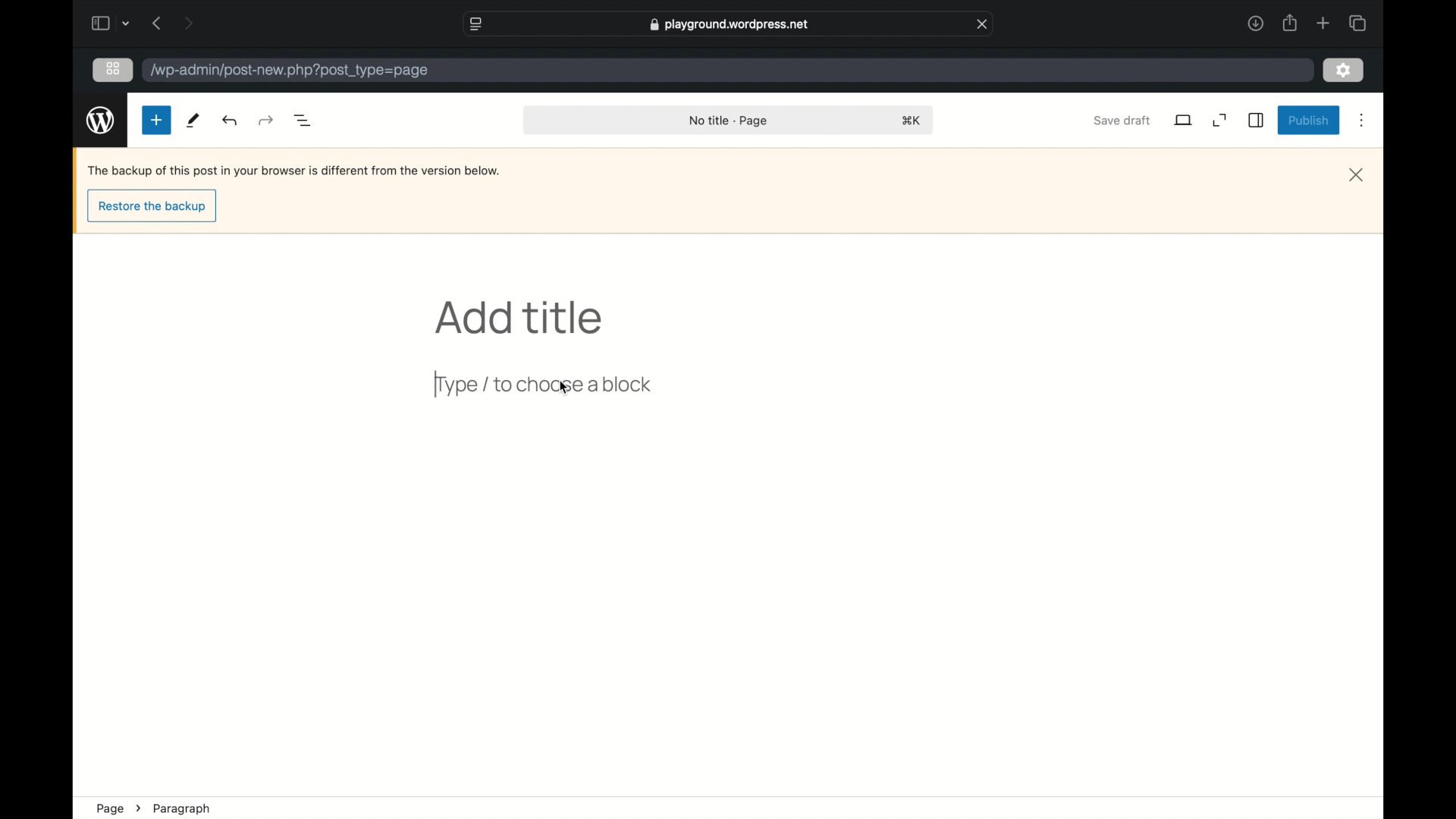 The height and width of the screenshot is (819, 1456). Describe the element at coordinates (983, 23) in the screenshot. I see `close` at that location.